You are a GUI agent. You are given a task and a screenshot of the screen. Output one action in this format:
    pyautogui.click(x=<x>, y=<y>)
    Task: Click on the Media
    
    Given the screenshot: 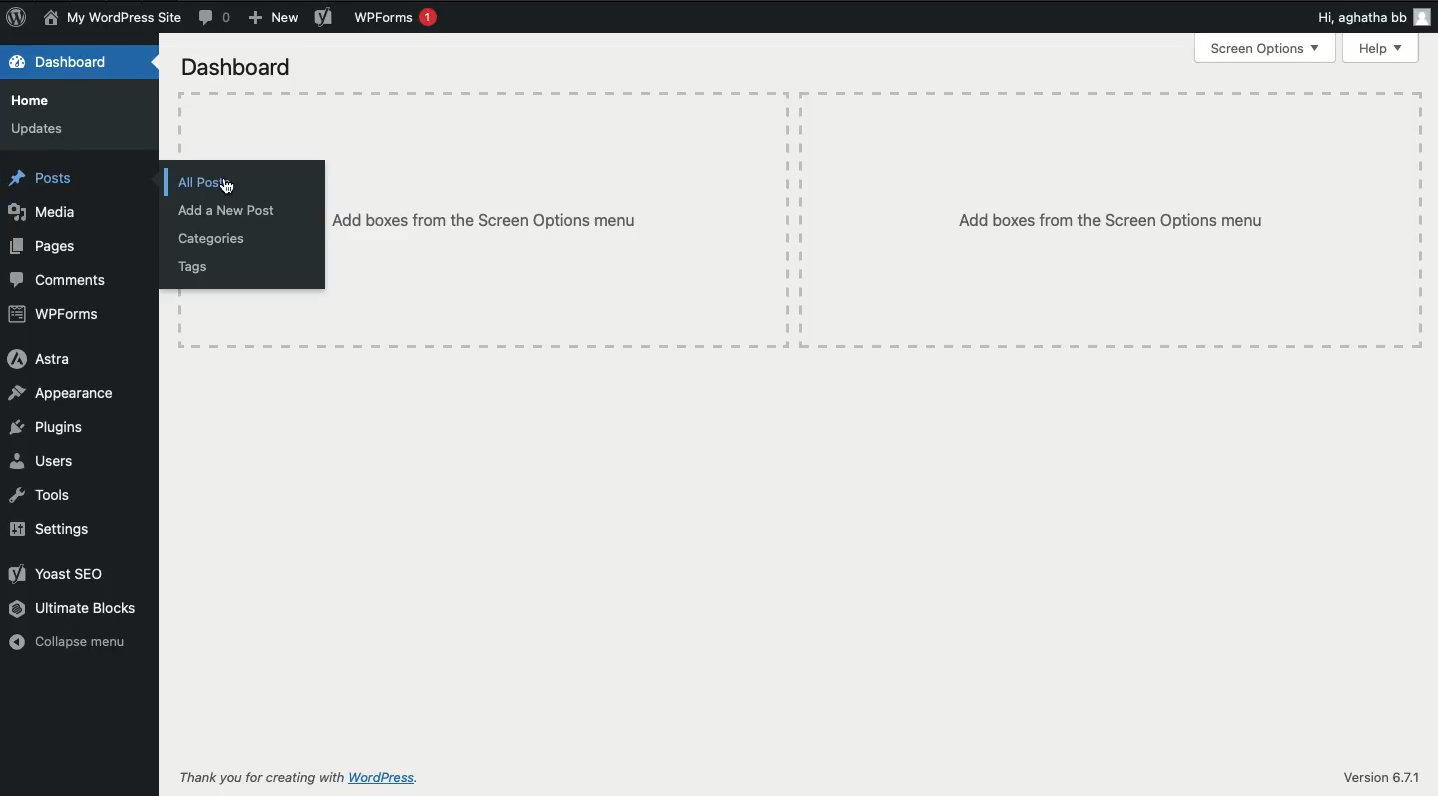 What is the action you would take?
    pyautogui.click(x=43, y=214)
    